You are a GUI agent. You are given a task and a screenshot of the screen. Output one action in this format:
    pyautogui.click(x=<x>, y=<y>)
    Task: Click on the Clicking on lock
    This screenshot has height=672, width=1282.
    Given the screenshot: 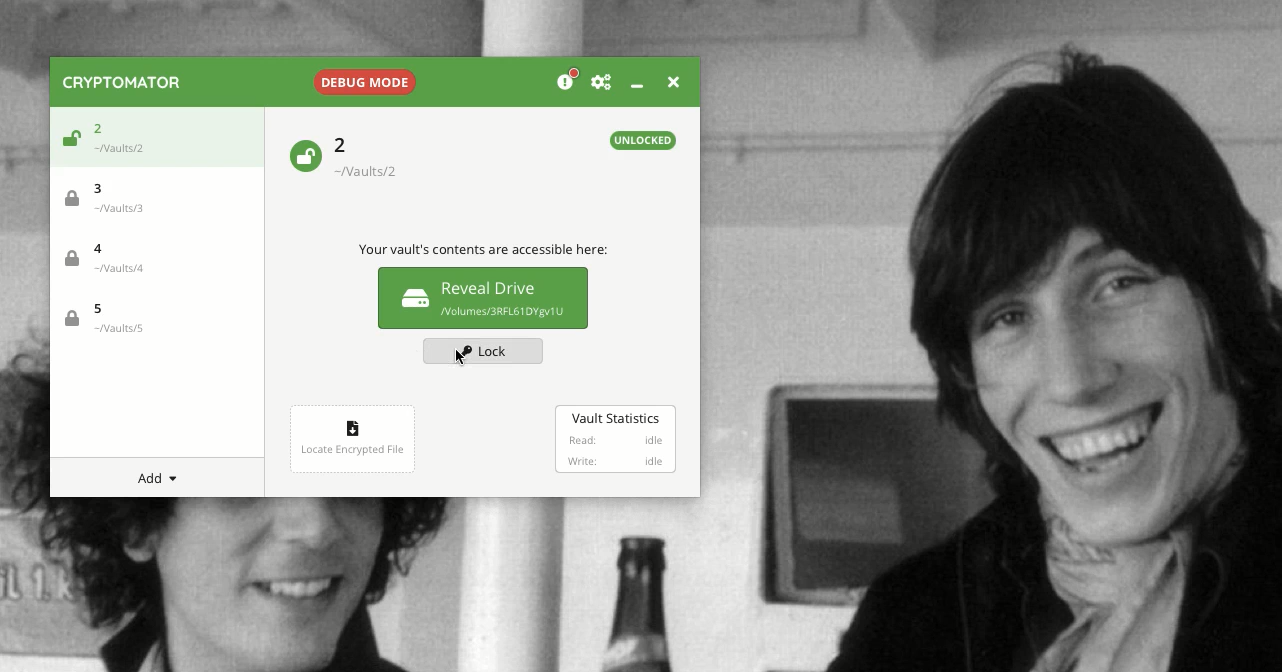 What is the action you would take?
    pyautogui.click(x=480, y=350)
    